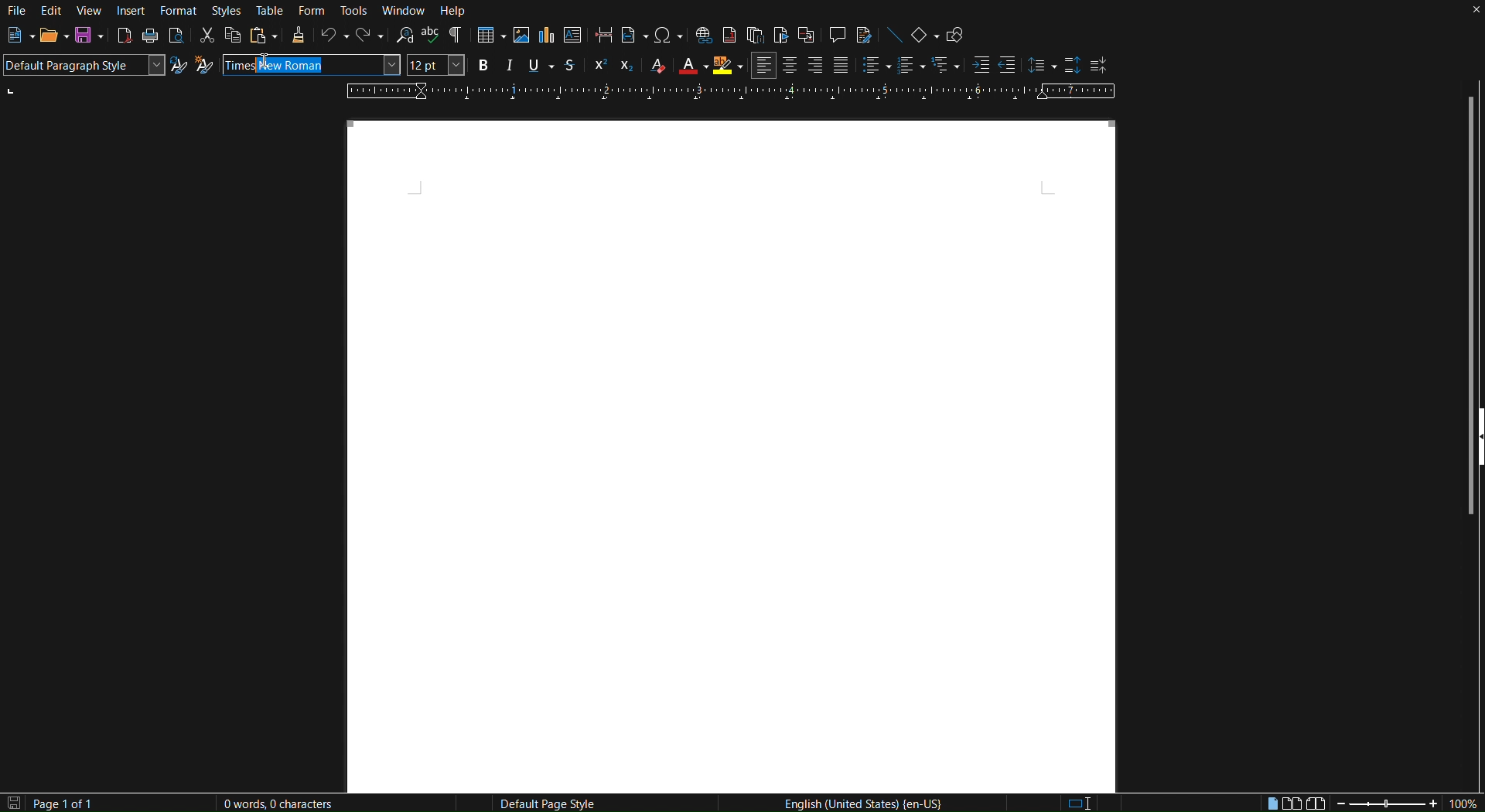 Image resolution: width=1485 pixels, height=812 pixels. Describe the element at coordinates (780, 37) in the screenshot. I see `Insert Bookmark` at that location.